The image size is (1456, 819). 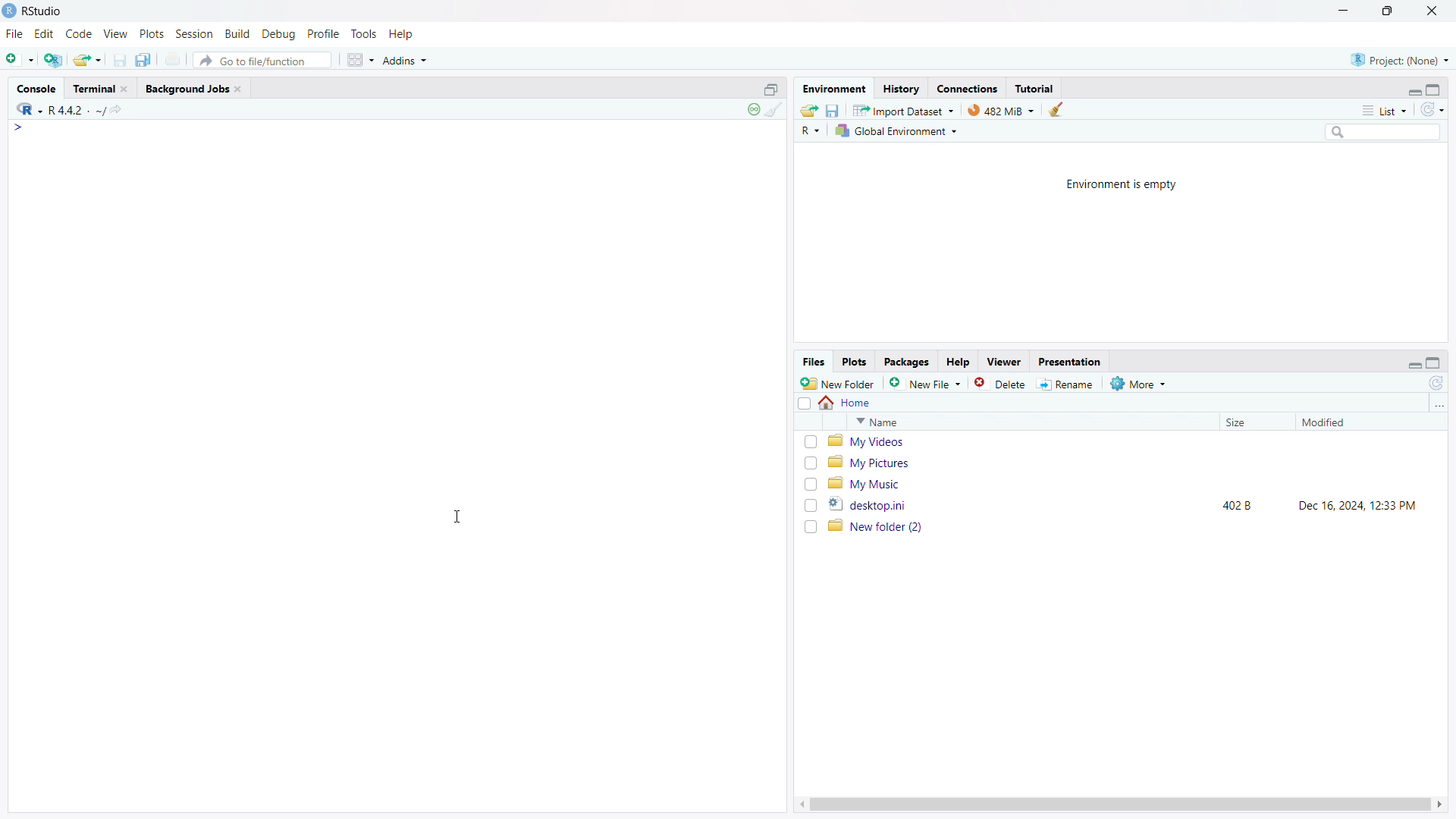 What do you see at coordinates (1436, 88) in the screenshot?
I see `expand pane` at bounding box center [1436, 88].